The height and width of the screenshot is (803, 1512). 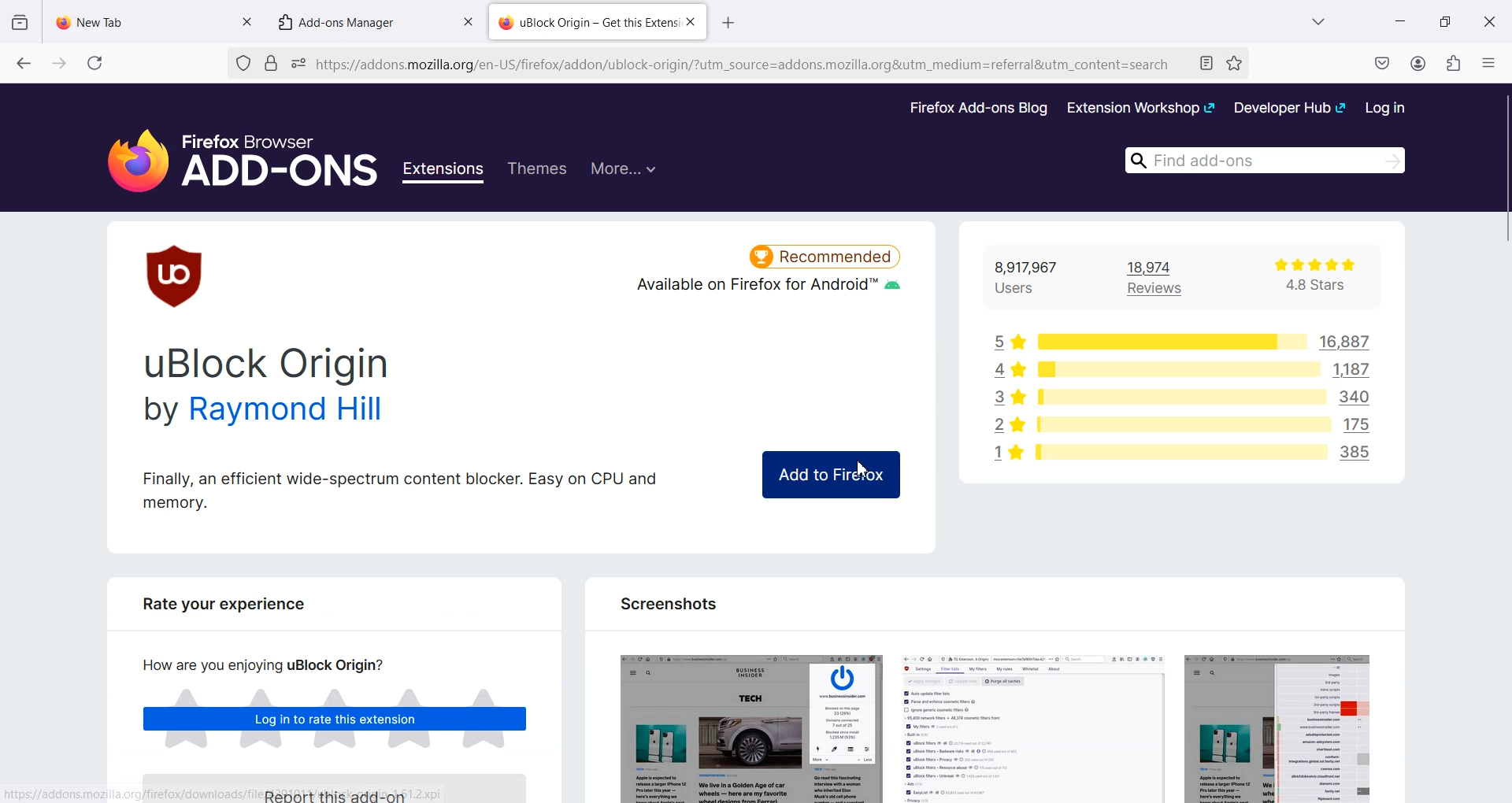 I want to click on Toggle reader view, so click(x=1207, y=65).